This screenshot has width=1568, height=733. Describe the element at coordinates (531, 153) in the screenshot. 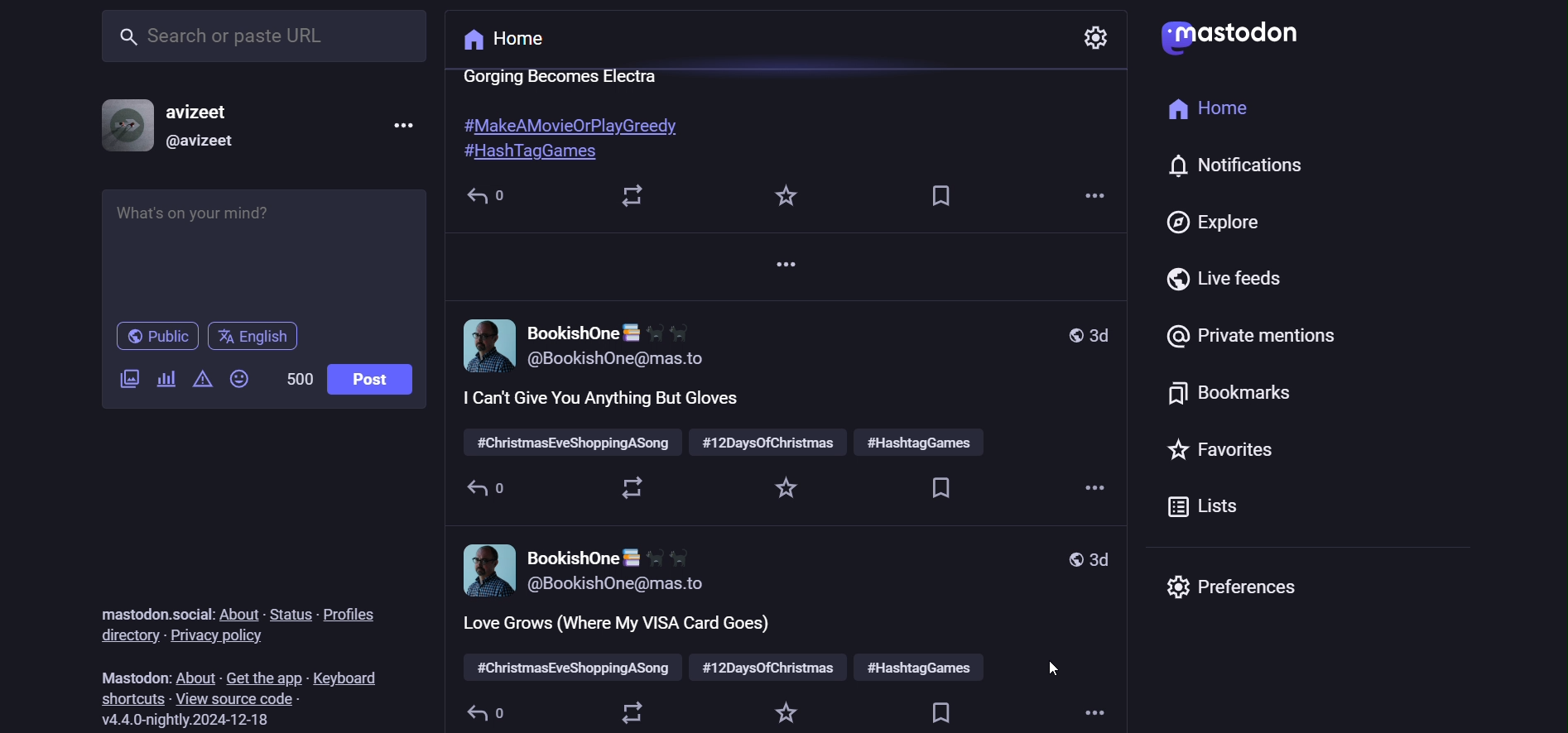

I see `#HashlagGames` at that location.